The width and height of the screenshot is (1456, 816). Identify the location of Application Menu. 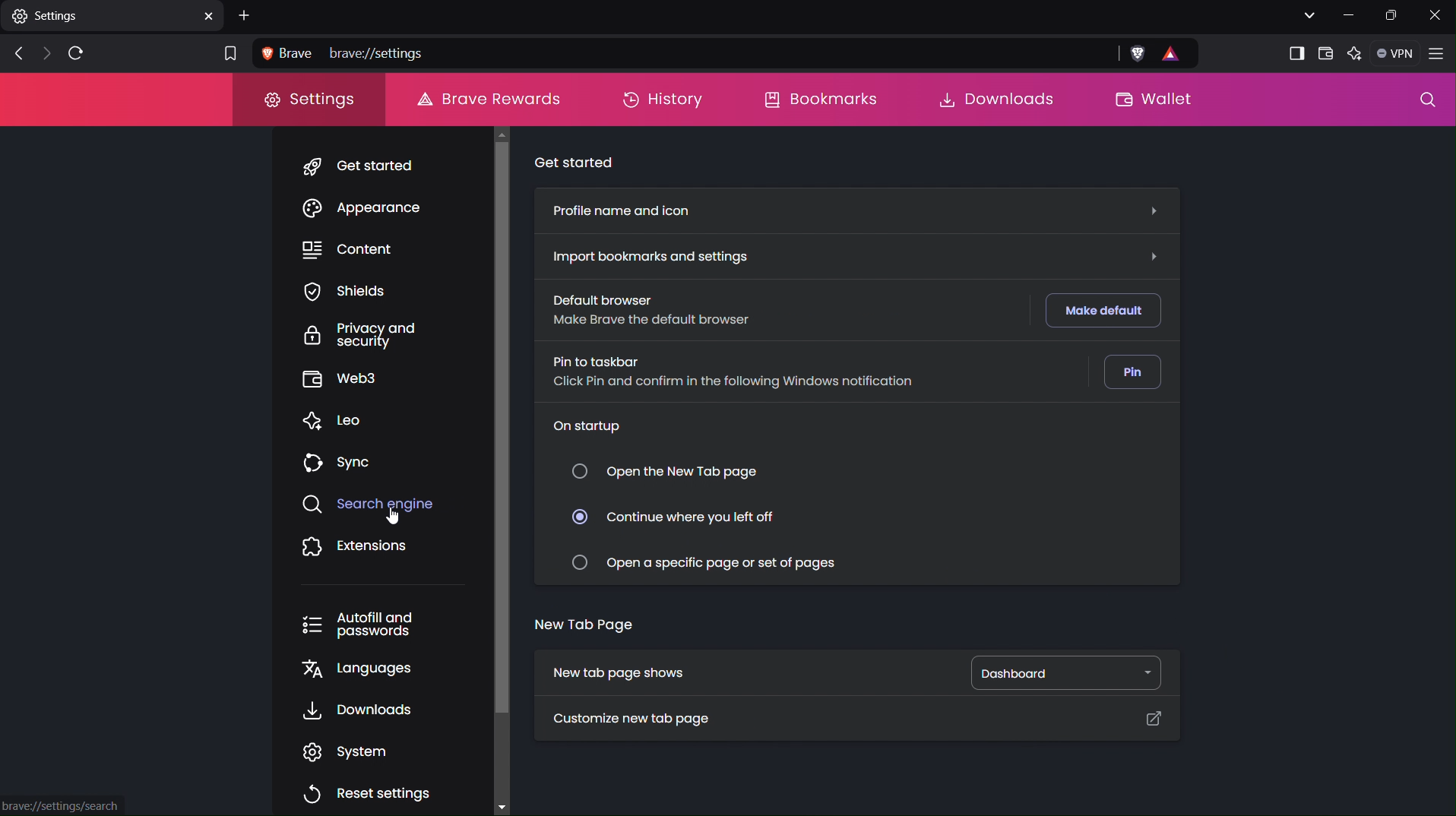
(1439, 55).